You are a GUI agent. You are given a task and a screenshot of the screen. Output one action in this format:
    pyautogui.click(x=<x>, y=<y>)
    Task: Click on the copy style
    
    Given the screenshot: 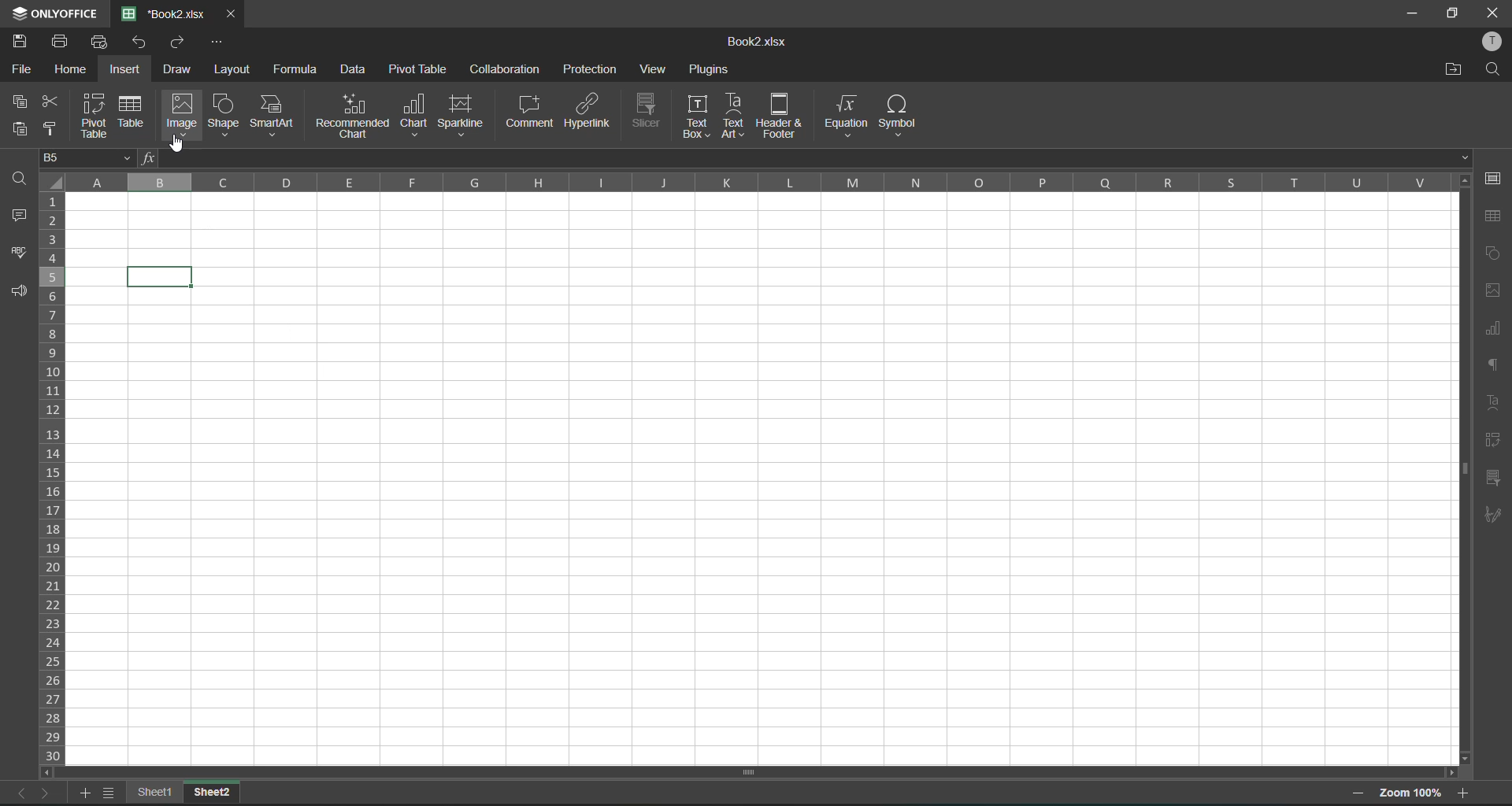 What is the action you would take?
    pyautogui.click(x=57, y=128)
    